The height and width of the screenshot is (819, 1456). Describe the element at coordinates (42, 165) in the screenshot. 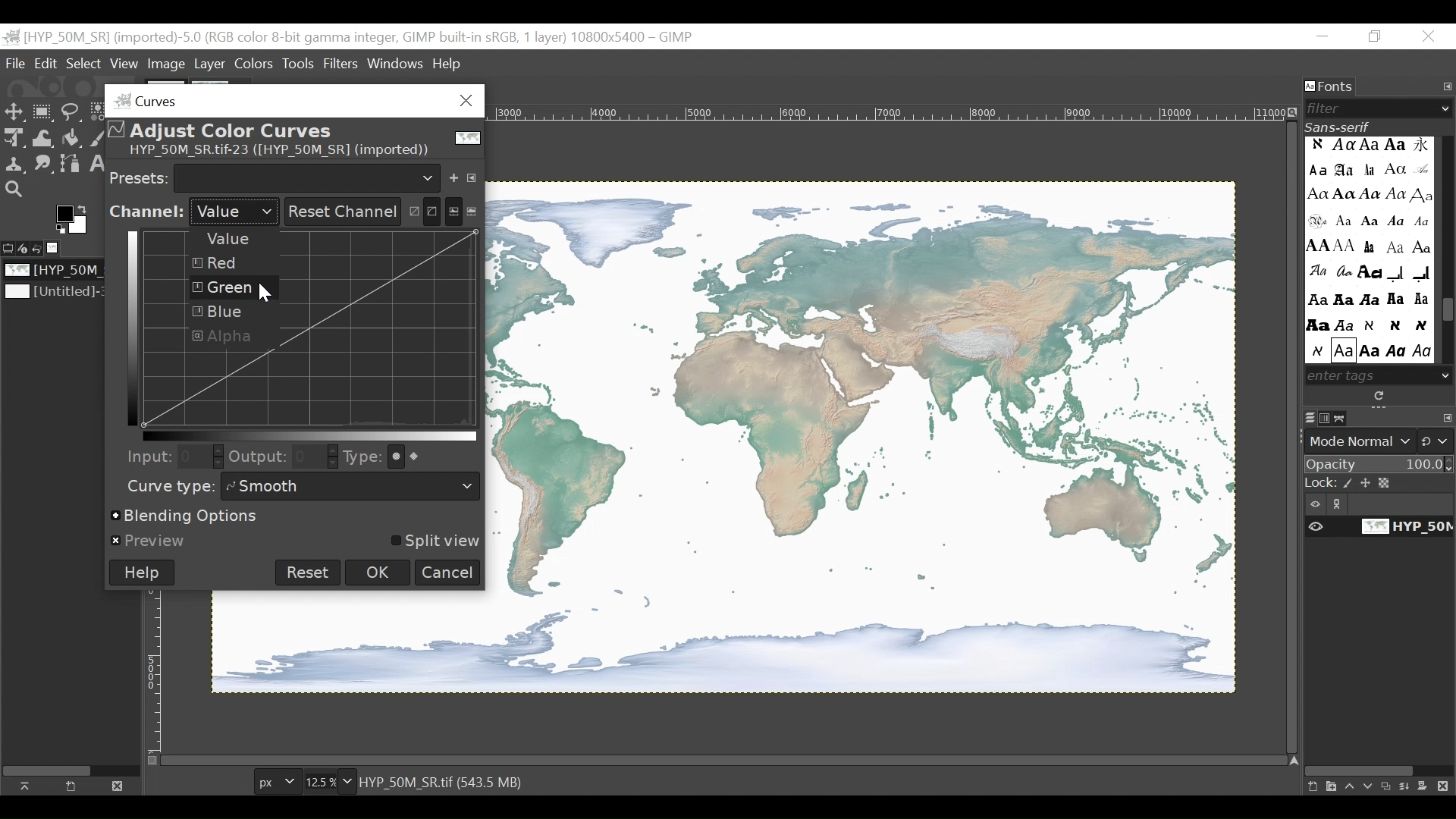

I see `Smudge Tool` at that location.